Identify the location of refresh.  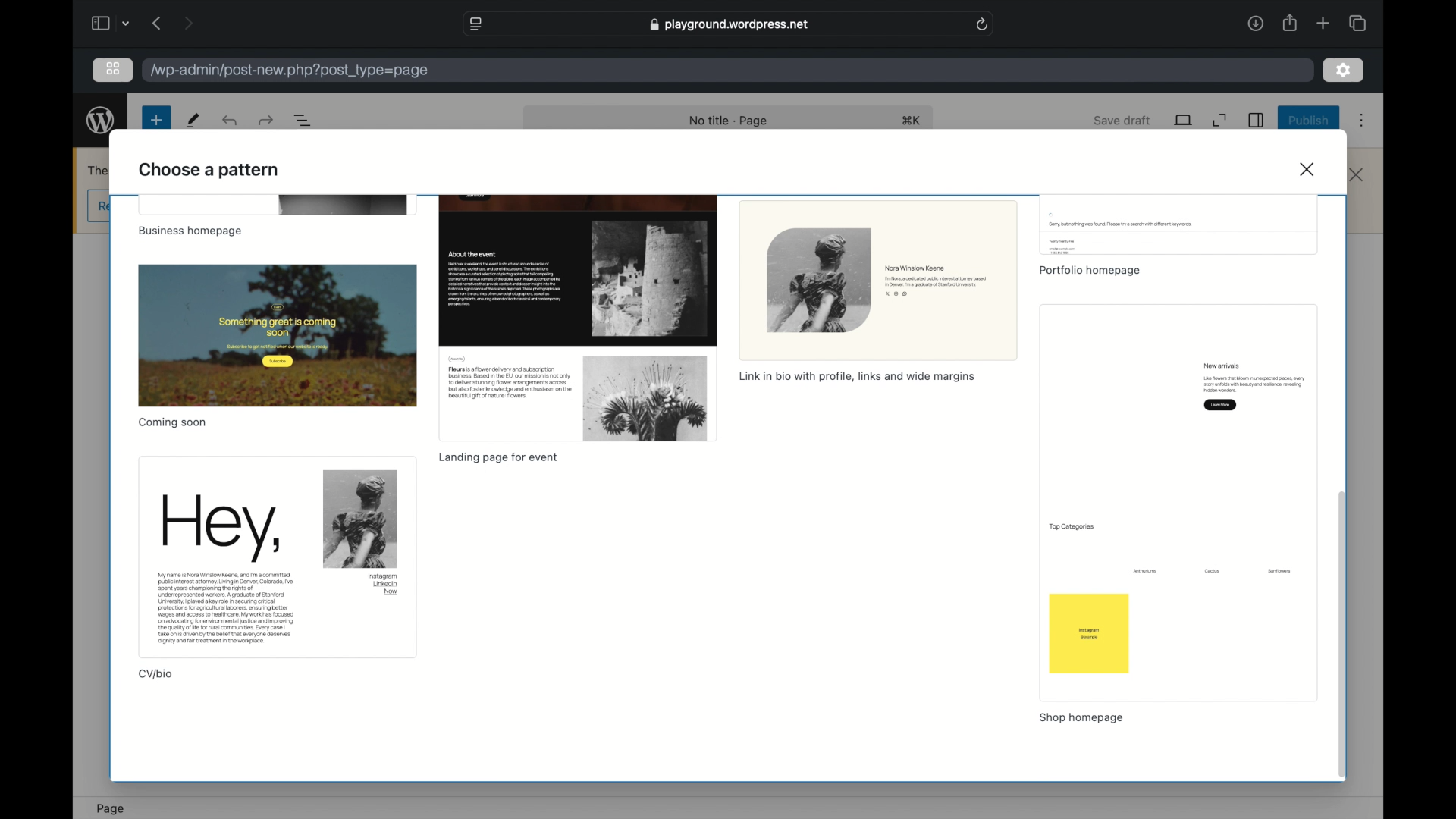
(983, 25).